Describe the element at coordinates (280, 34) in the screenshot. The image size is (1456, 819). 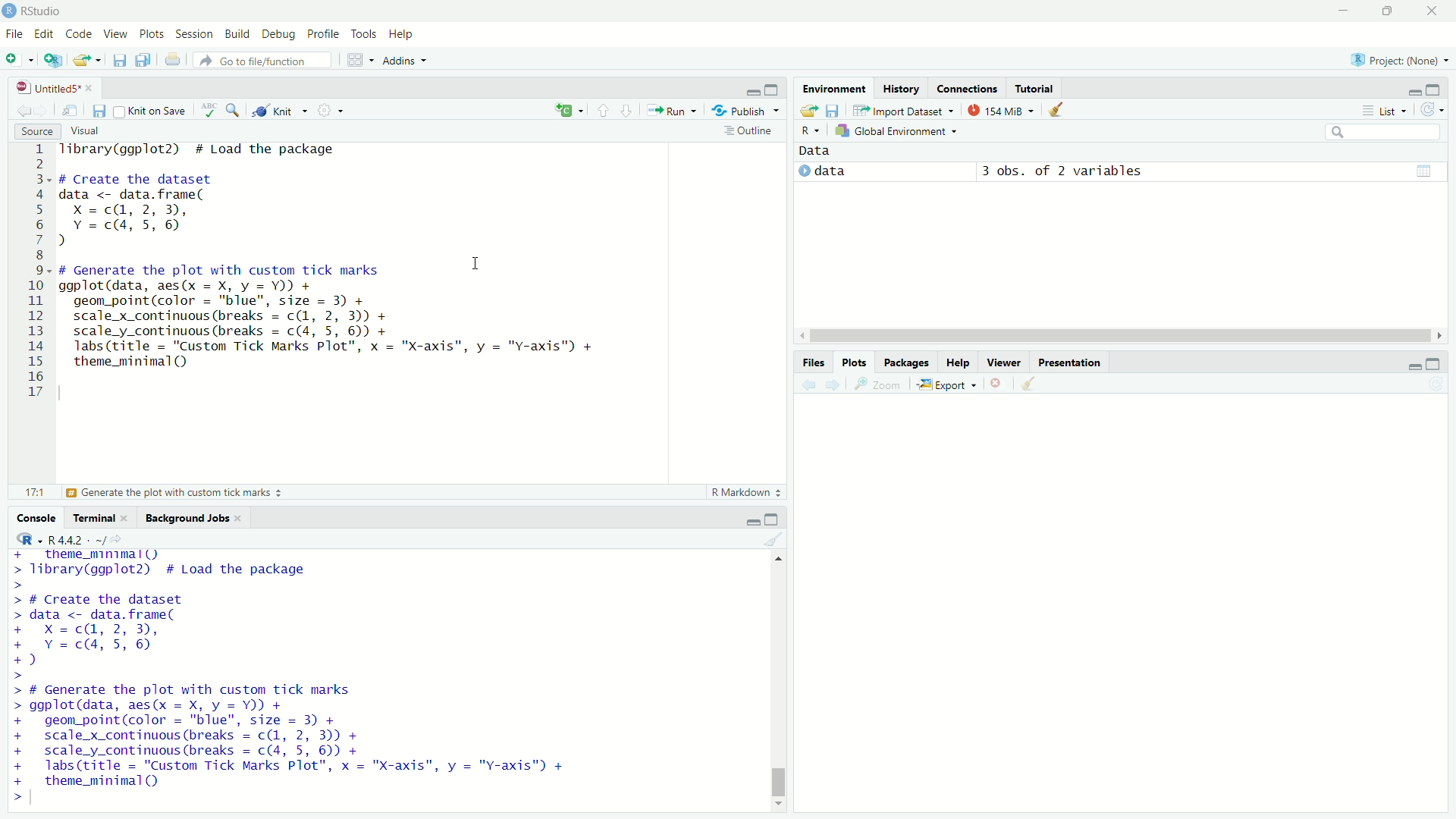
I see `debug` at that location.